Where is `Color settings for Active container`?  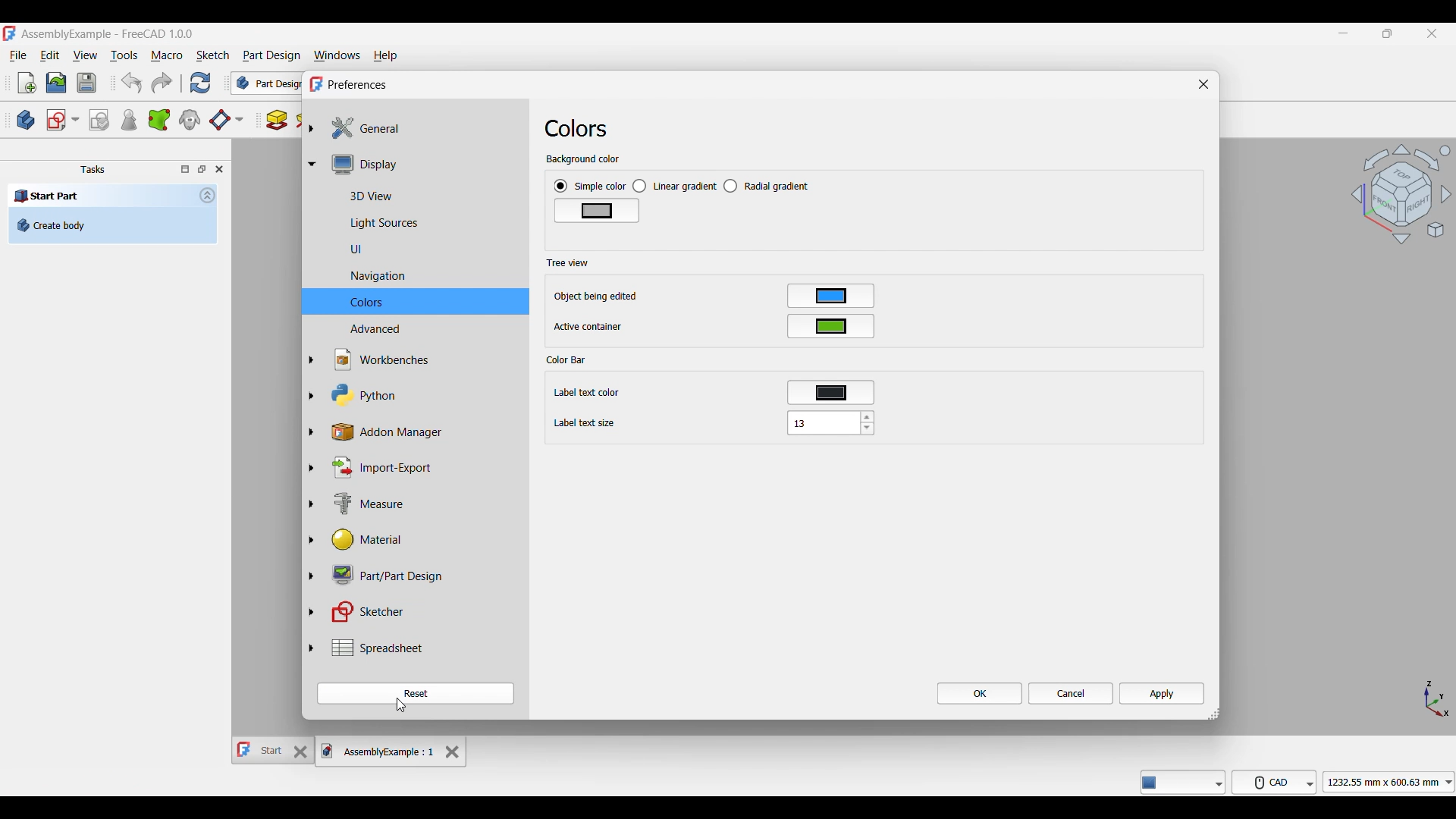 Color settings for Active container is located at coordinates (831, 326).